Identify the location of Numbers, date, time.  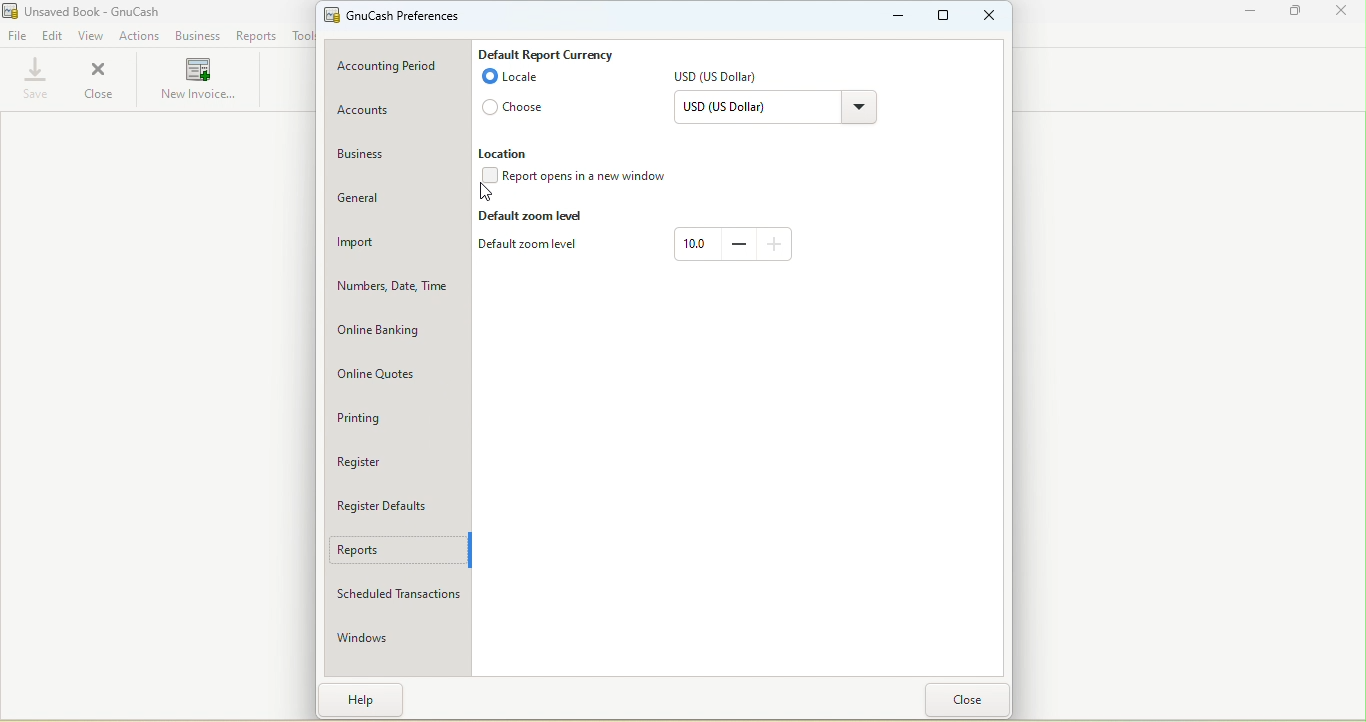
(398, 290).